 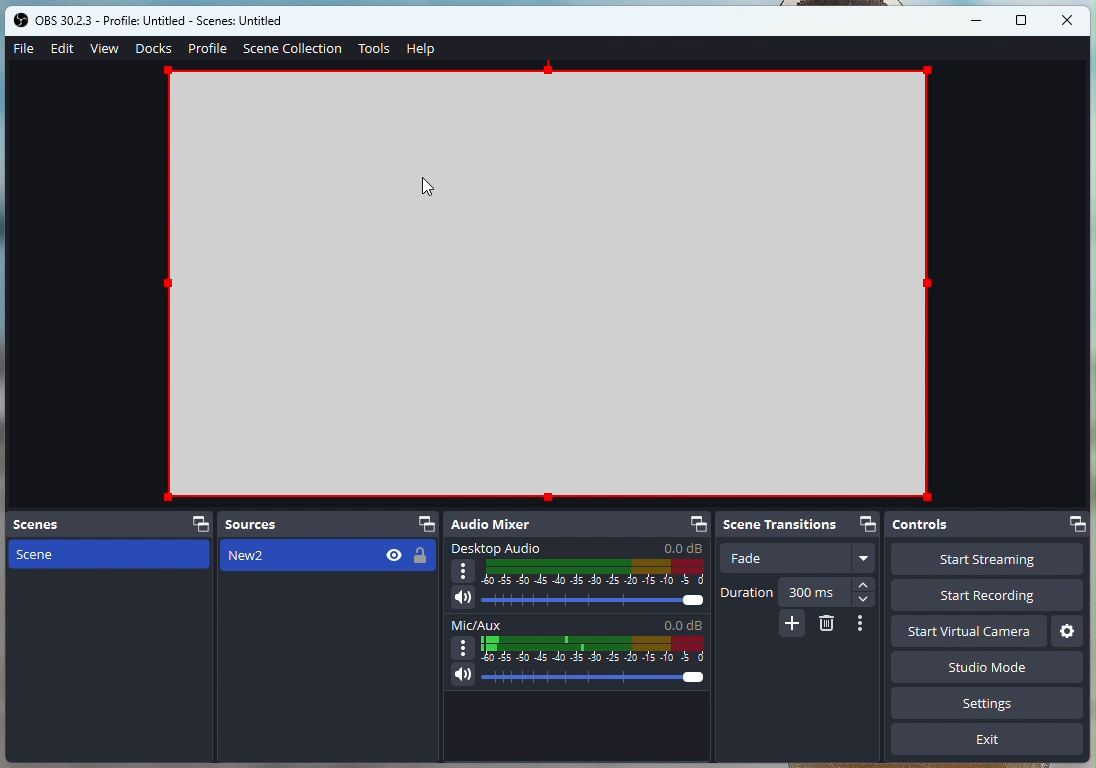 I want to click on Start recording, so click(x=993, y=597).